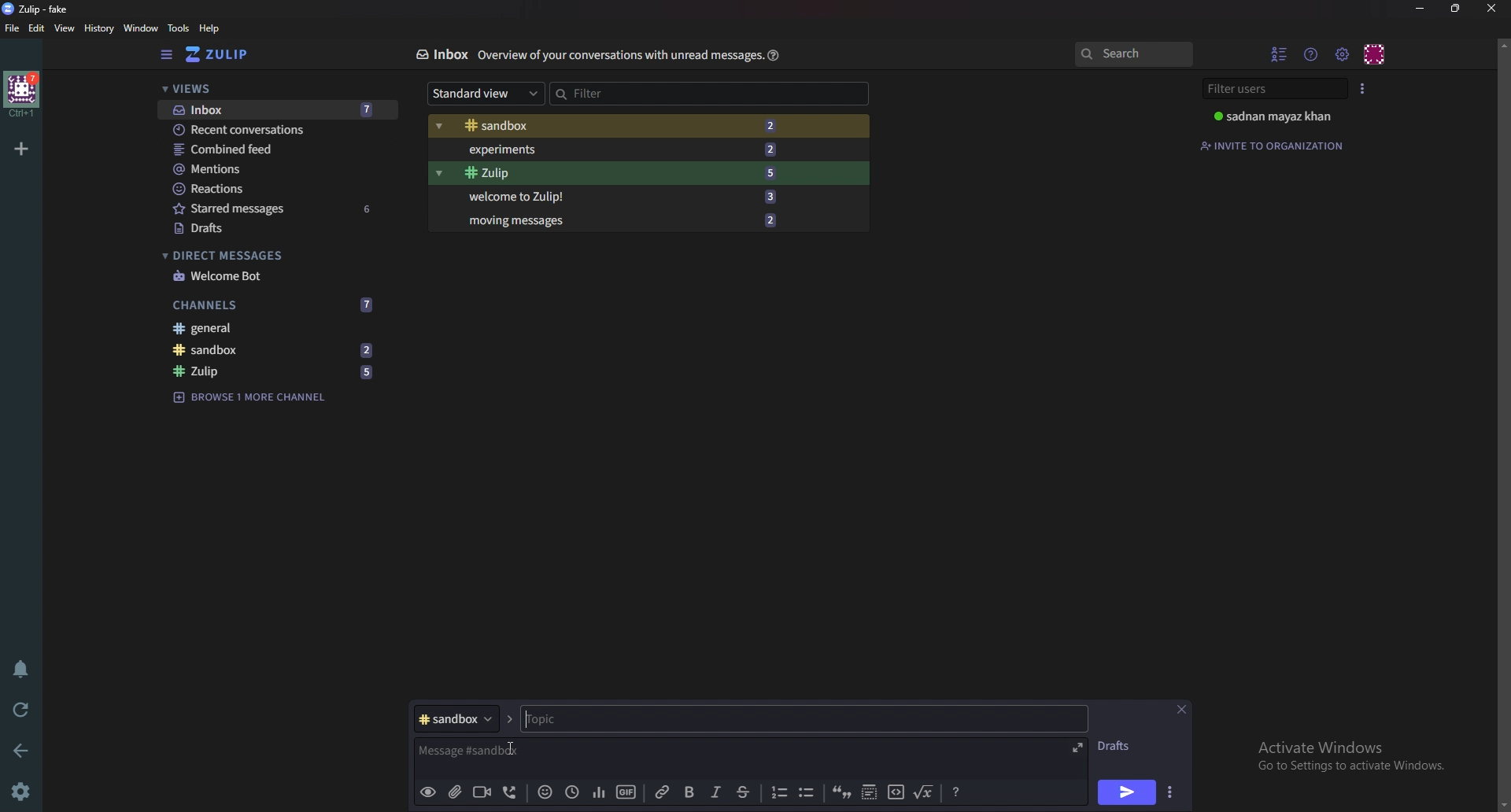 This screenshot has width=1511, height=812. Describe the element at coordinates (21, 710) in the screenshot. I see `Reload` at that location.